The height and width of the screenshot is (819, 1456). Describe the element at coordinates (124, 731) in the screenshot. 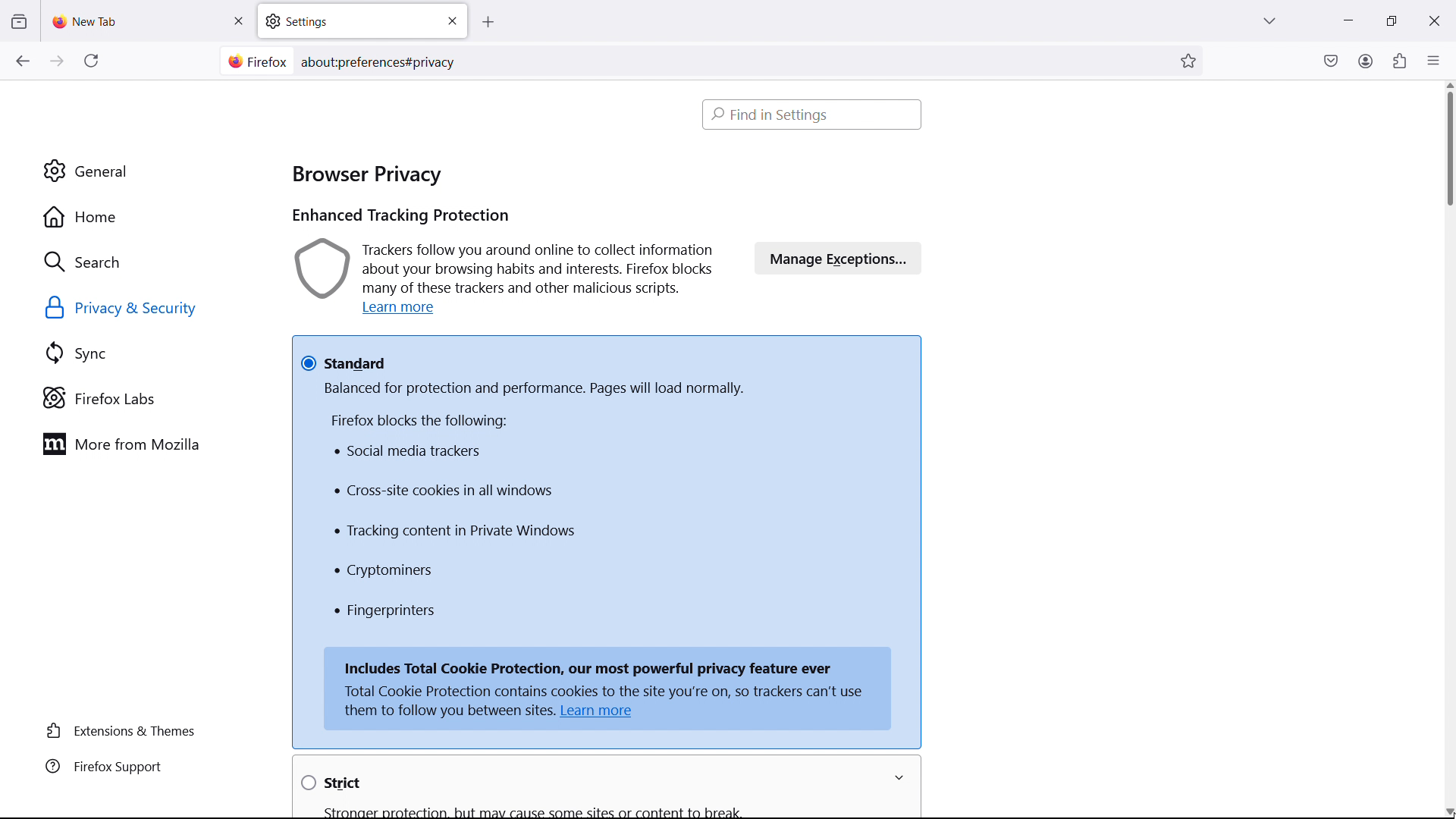

I see `extensions & themes` at that location.